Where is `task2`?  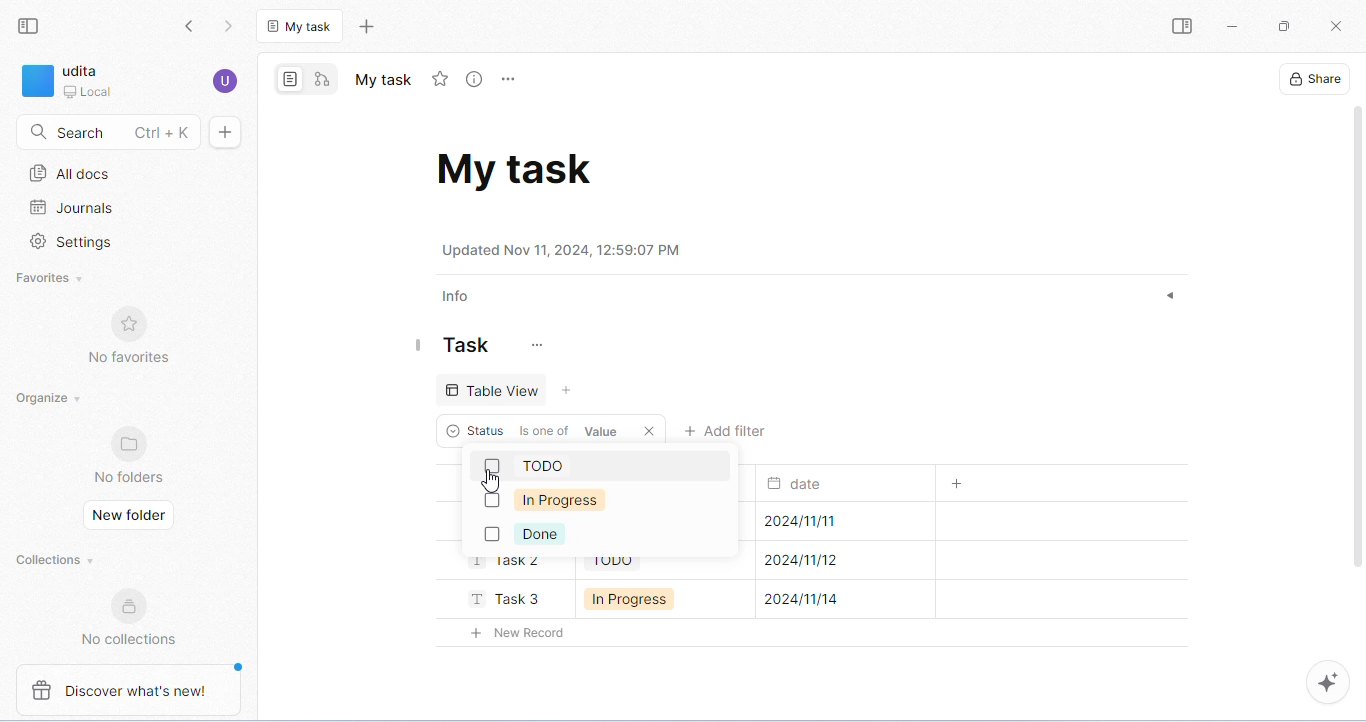 task2 is located at coordinates (505, 564).